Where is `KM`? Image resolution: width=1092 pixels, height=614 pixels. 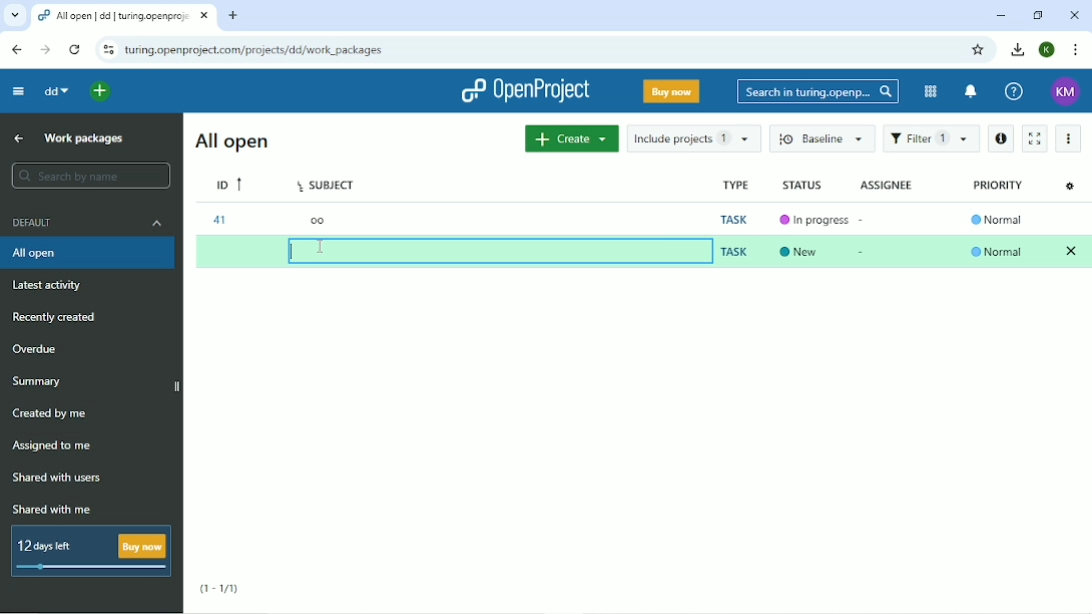 KM is located at coordinates (1064, 91).